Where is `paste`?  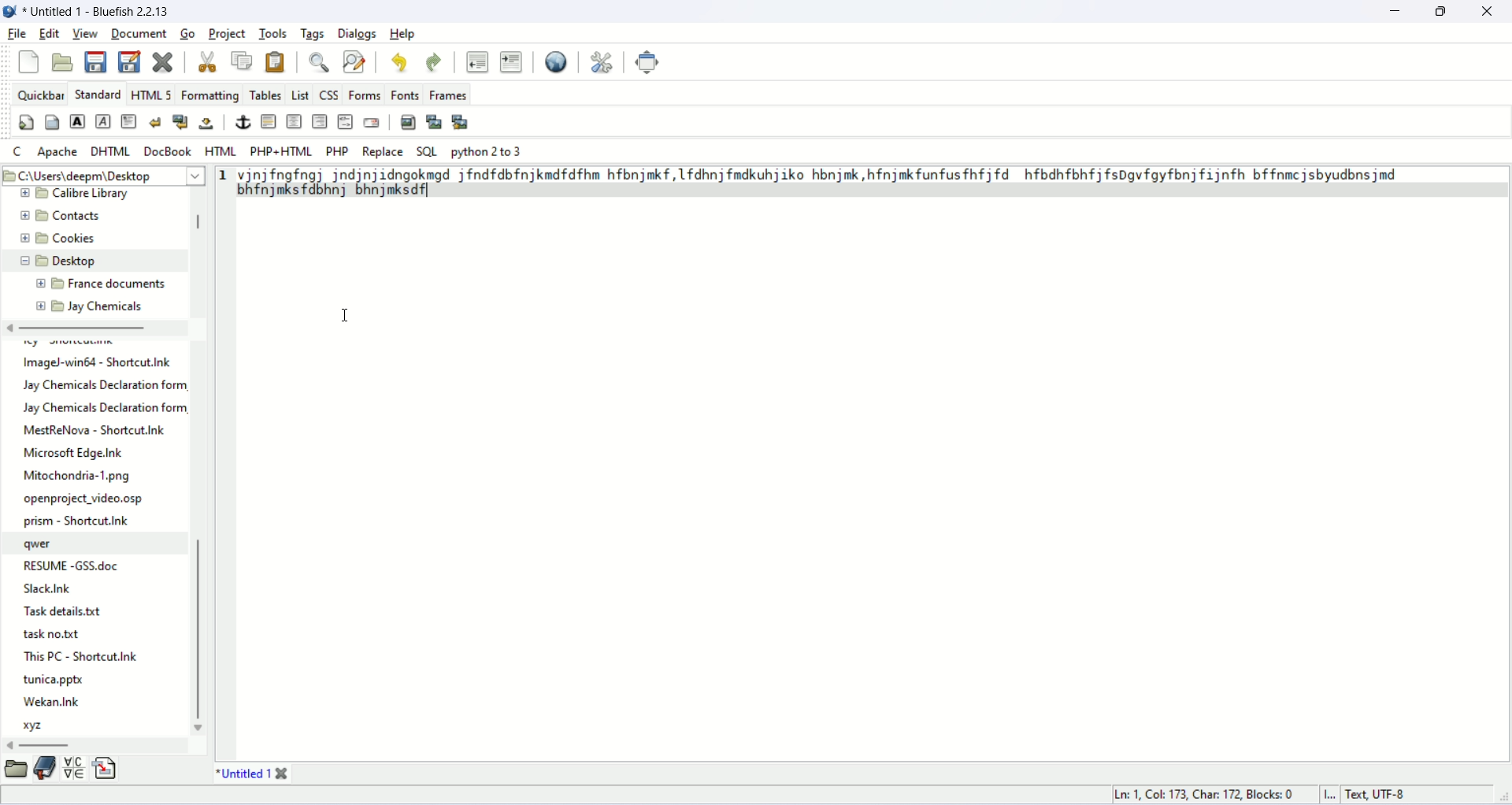
paste is located at coordinates (276, 60).